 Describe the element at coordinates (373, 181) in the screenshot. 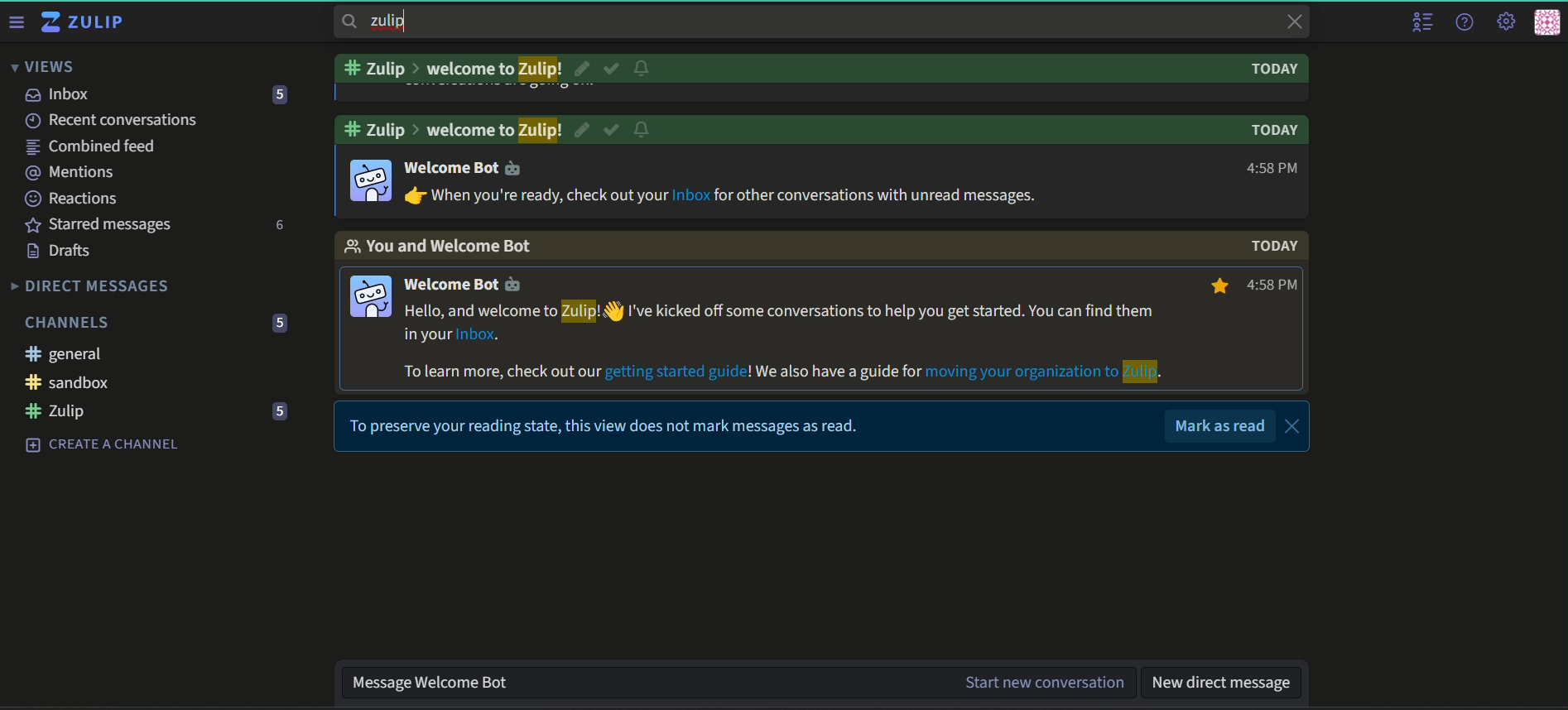

I see `image` at that location.